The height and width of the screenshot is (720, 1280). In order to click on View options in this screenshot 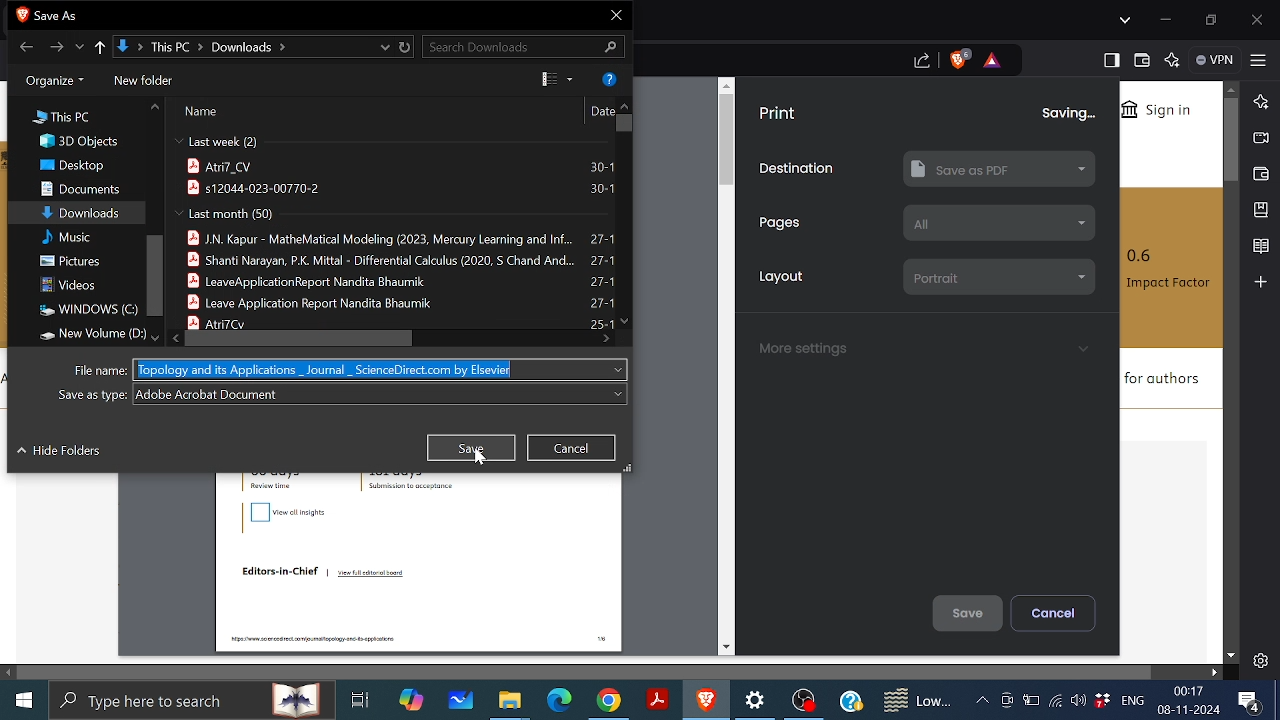, I will do `click(570, 79)`.